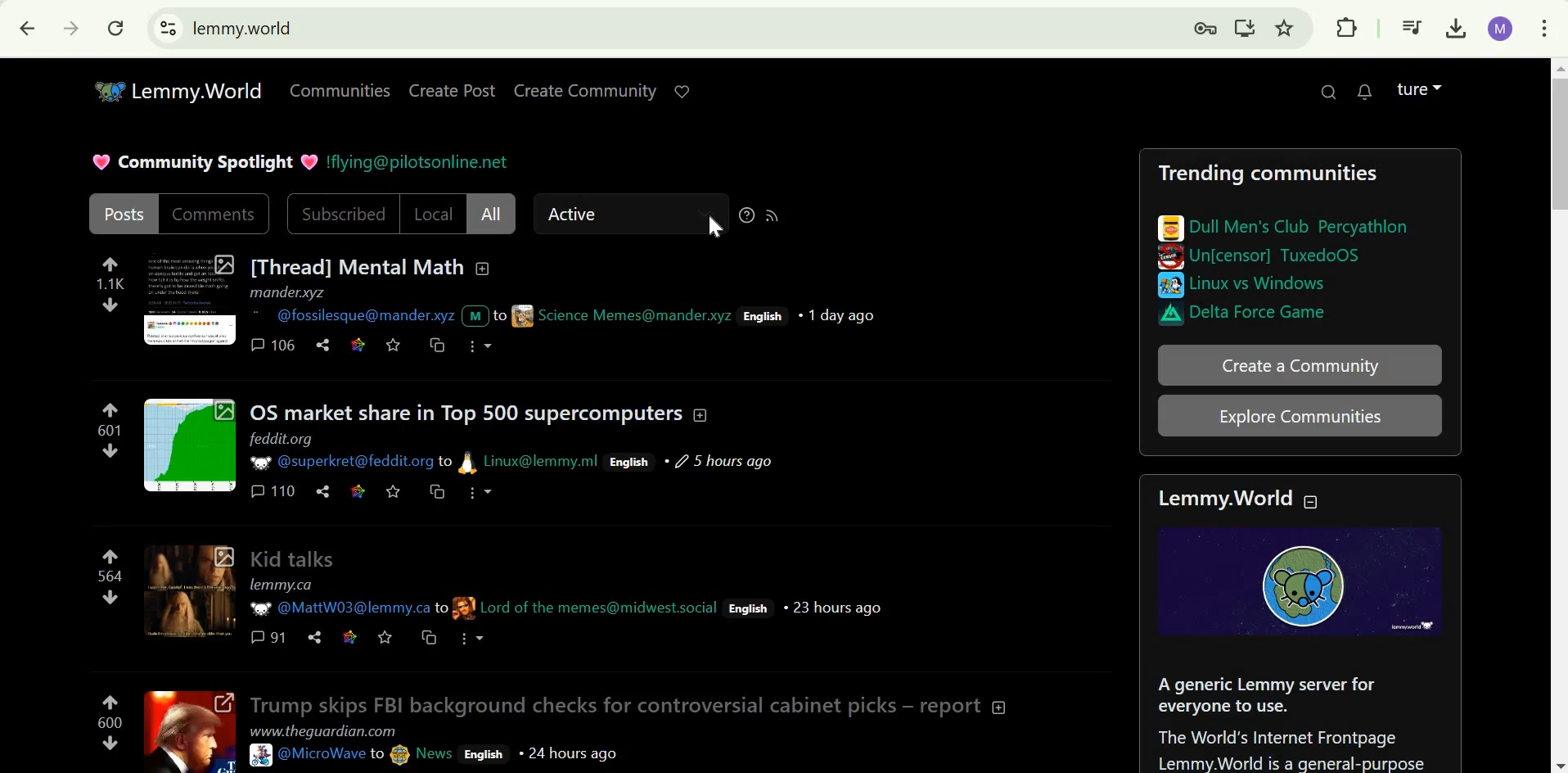  I want to click on @MicroWave to, so click(332, 753).